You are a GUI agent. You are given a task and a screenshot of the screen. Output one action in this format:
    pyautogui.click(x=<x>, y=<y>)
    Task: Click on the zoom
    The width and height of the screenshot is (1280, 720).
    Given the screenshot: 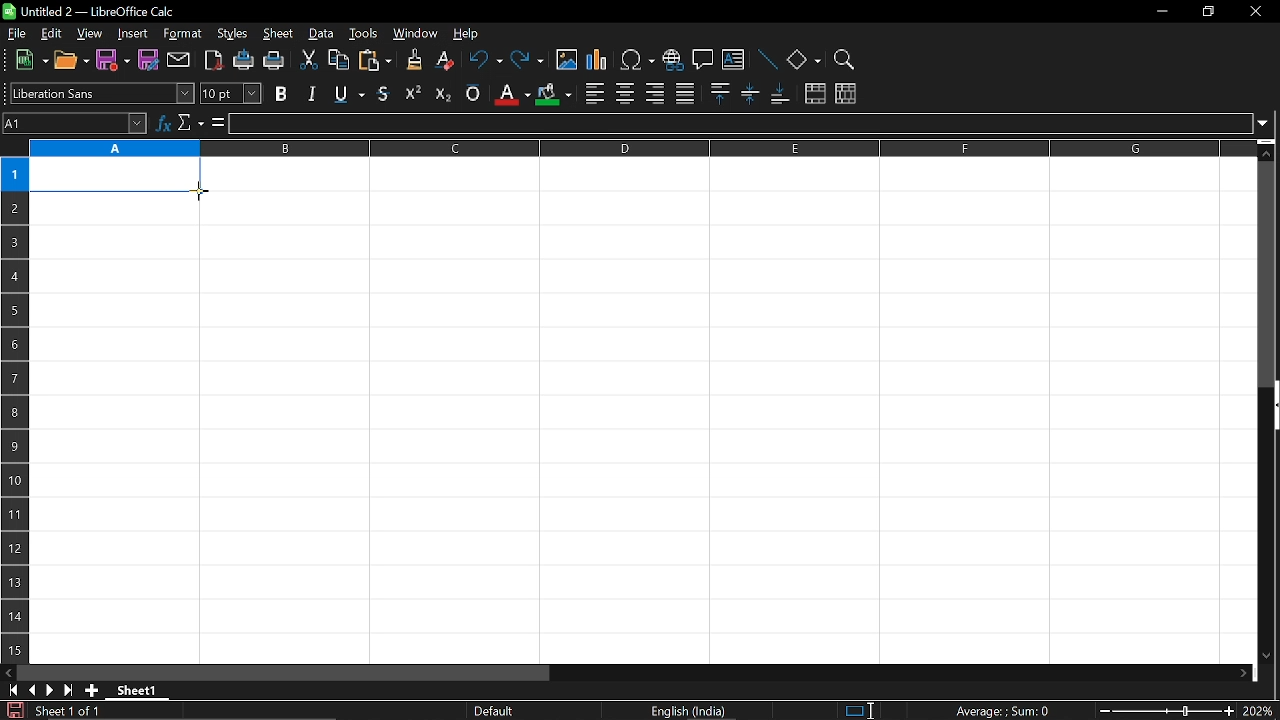 What is the action you would take?
    pyautogui.click(x=845, y=57)
    